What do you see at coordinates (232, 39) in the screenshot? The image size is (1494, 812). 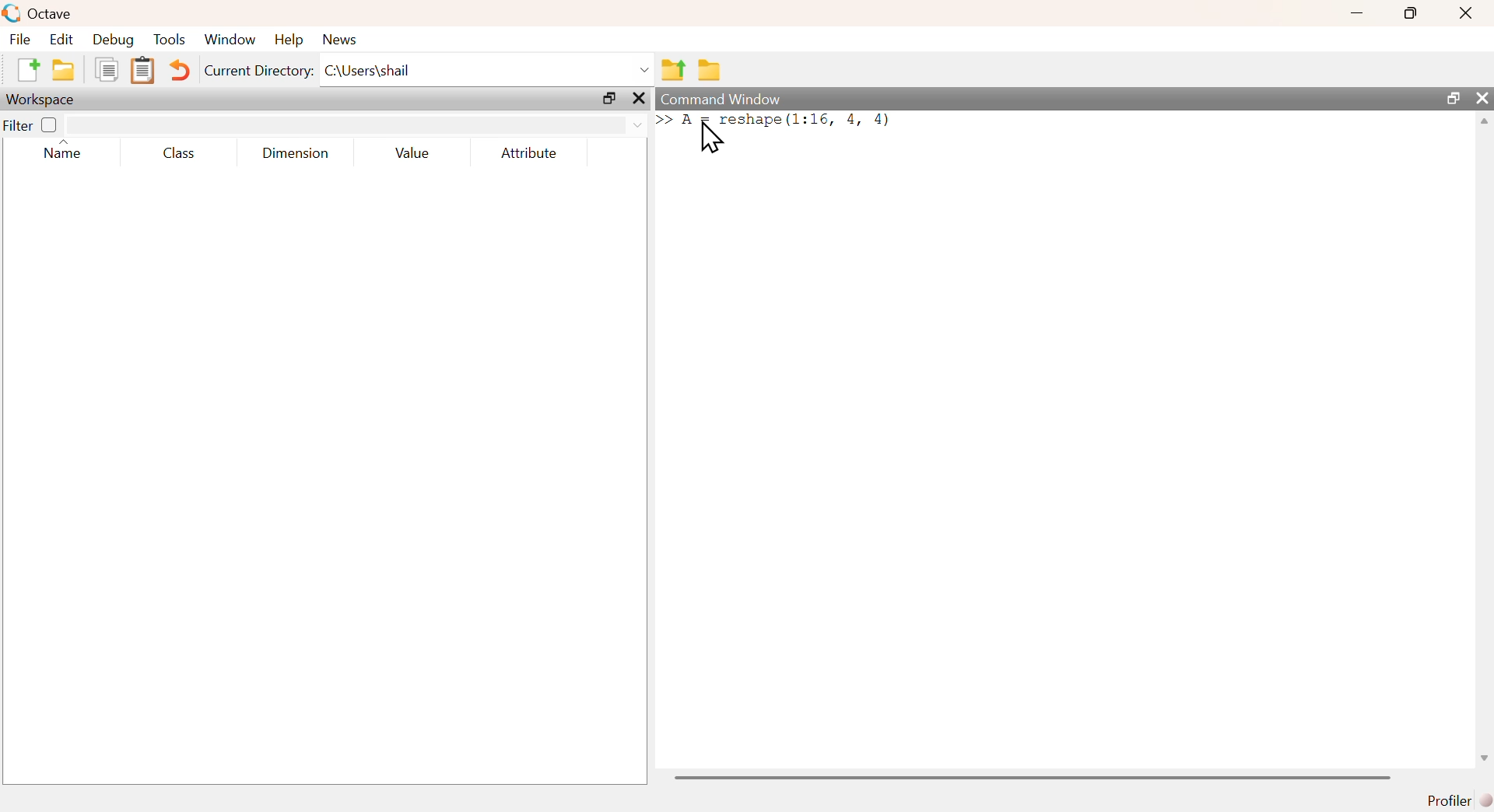 I see `window` at bounding box center [232, 39].